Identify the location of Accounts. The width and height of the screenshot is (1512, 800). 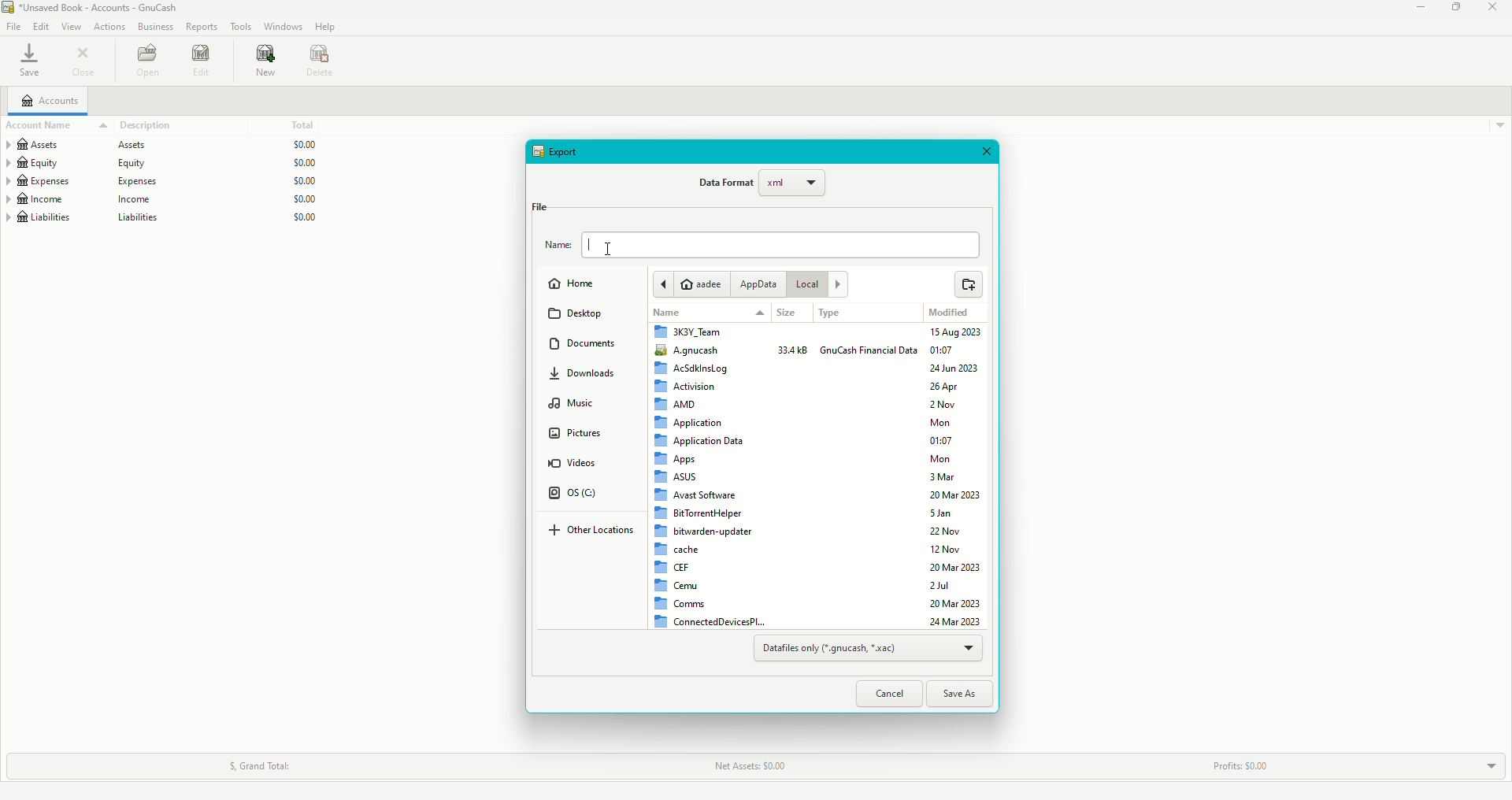
(48, 102).